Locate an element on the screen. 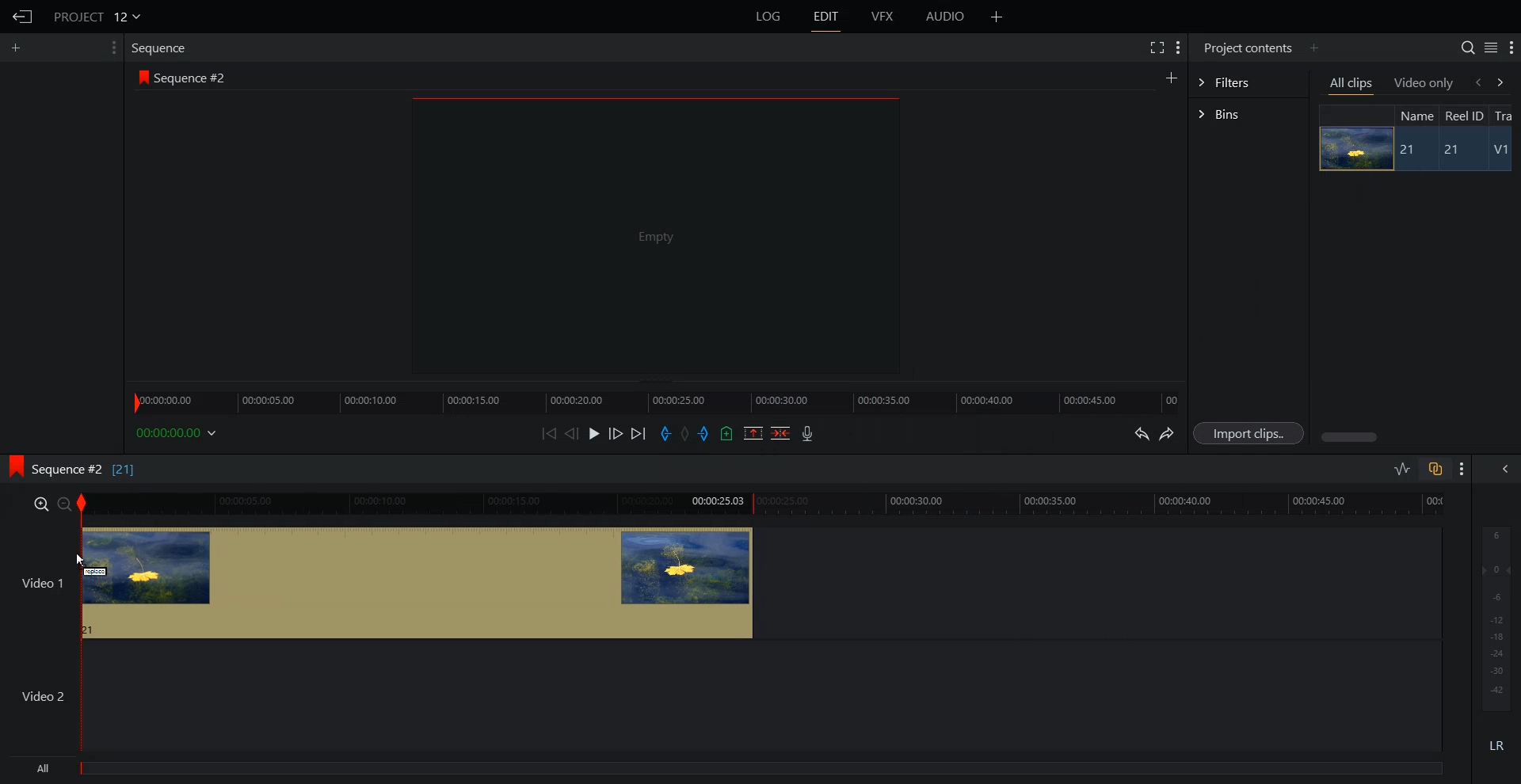 This screenshot has height=784, width=1521. Move forward is located at coordinates (639, 434).